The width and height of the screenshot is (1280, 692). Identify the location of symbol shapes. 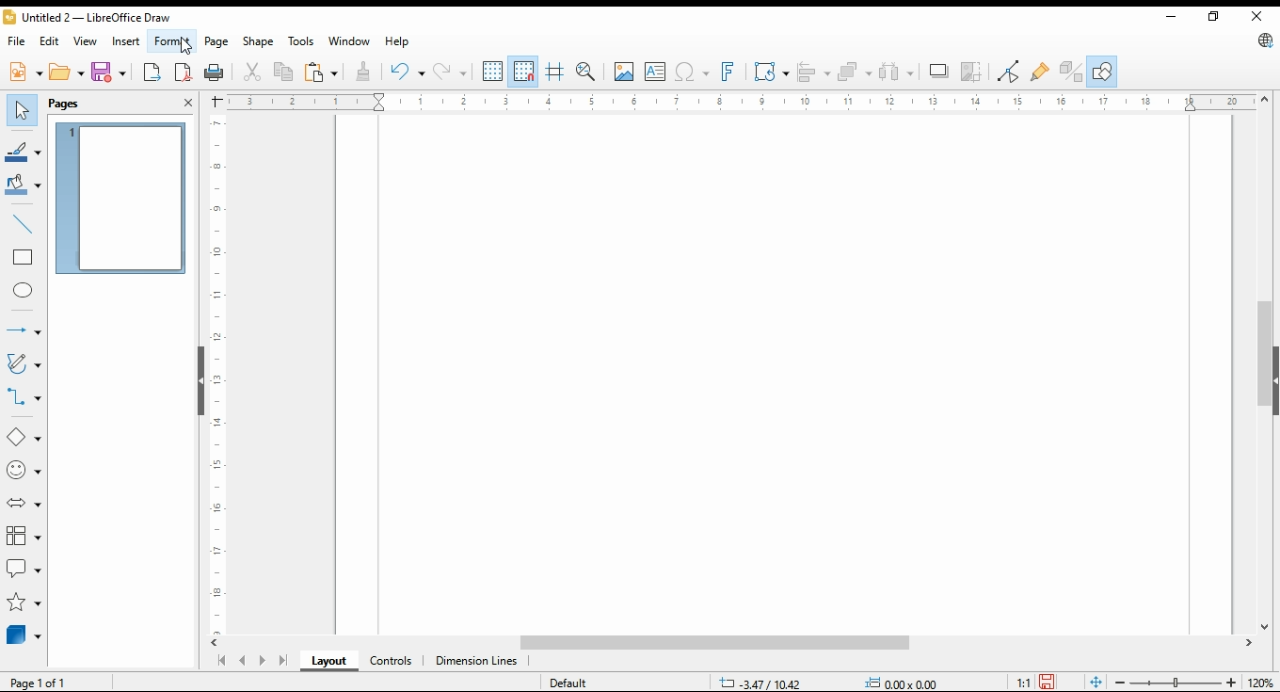
(25, 469).